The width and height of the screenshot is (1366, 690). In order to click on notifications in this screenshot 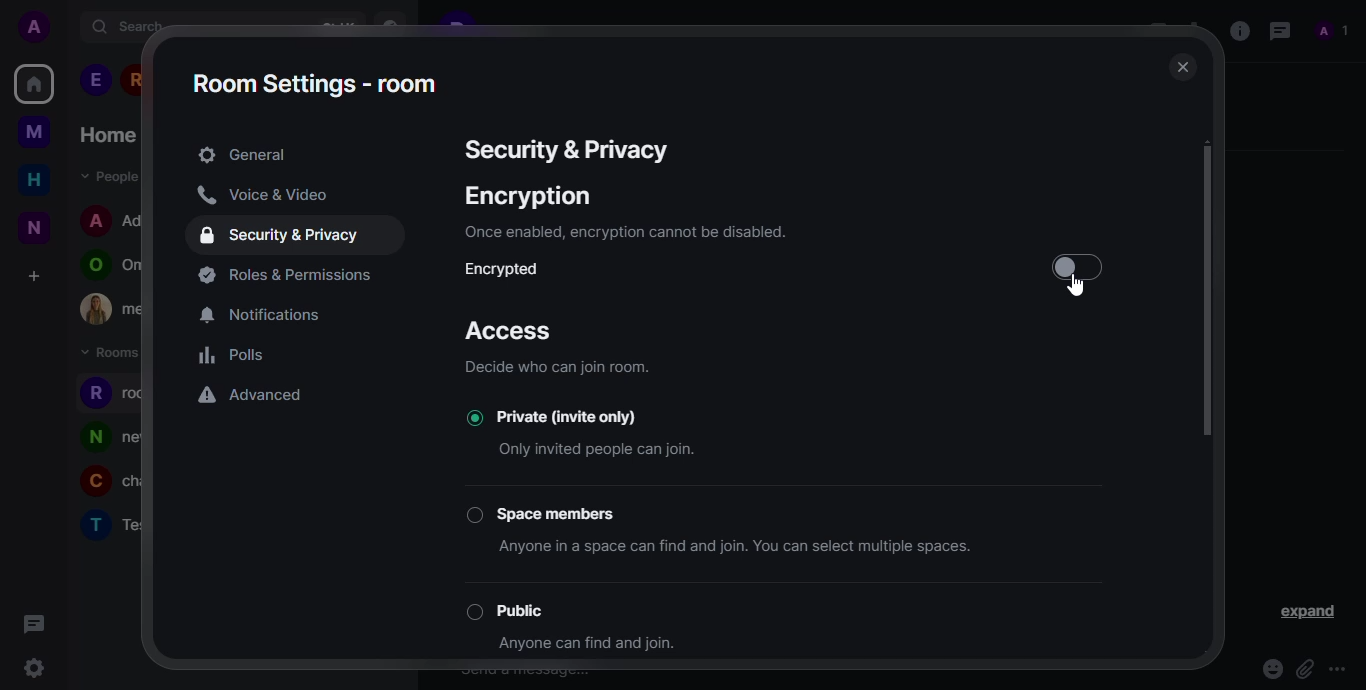, I will do `click(267, 315)`.